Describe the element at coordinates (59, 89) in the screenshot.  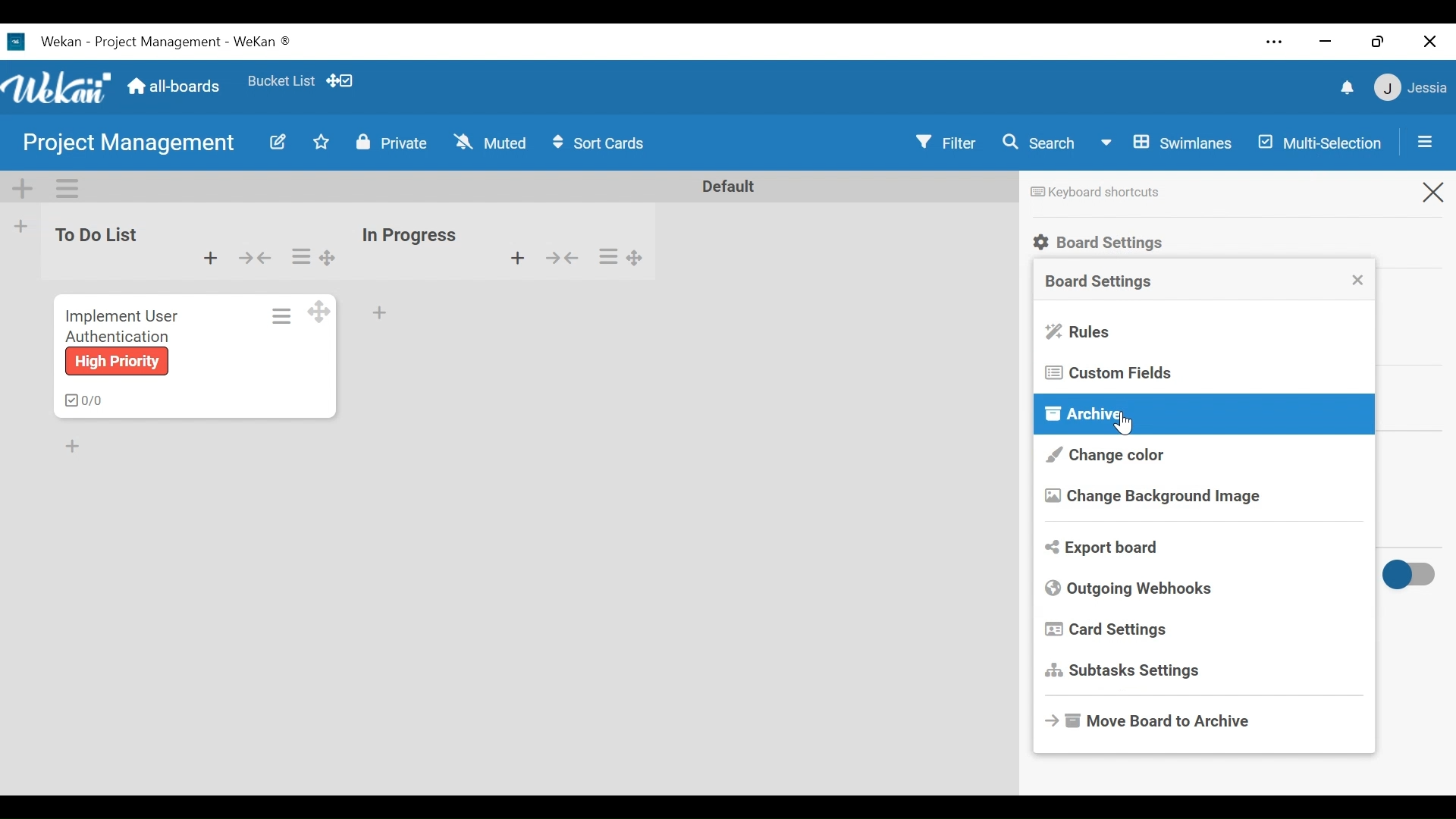
I see `wekan logo` at that location.